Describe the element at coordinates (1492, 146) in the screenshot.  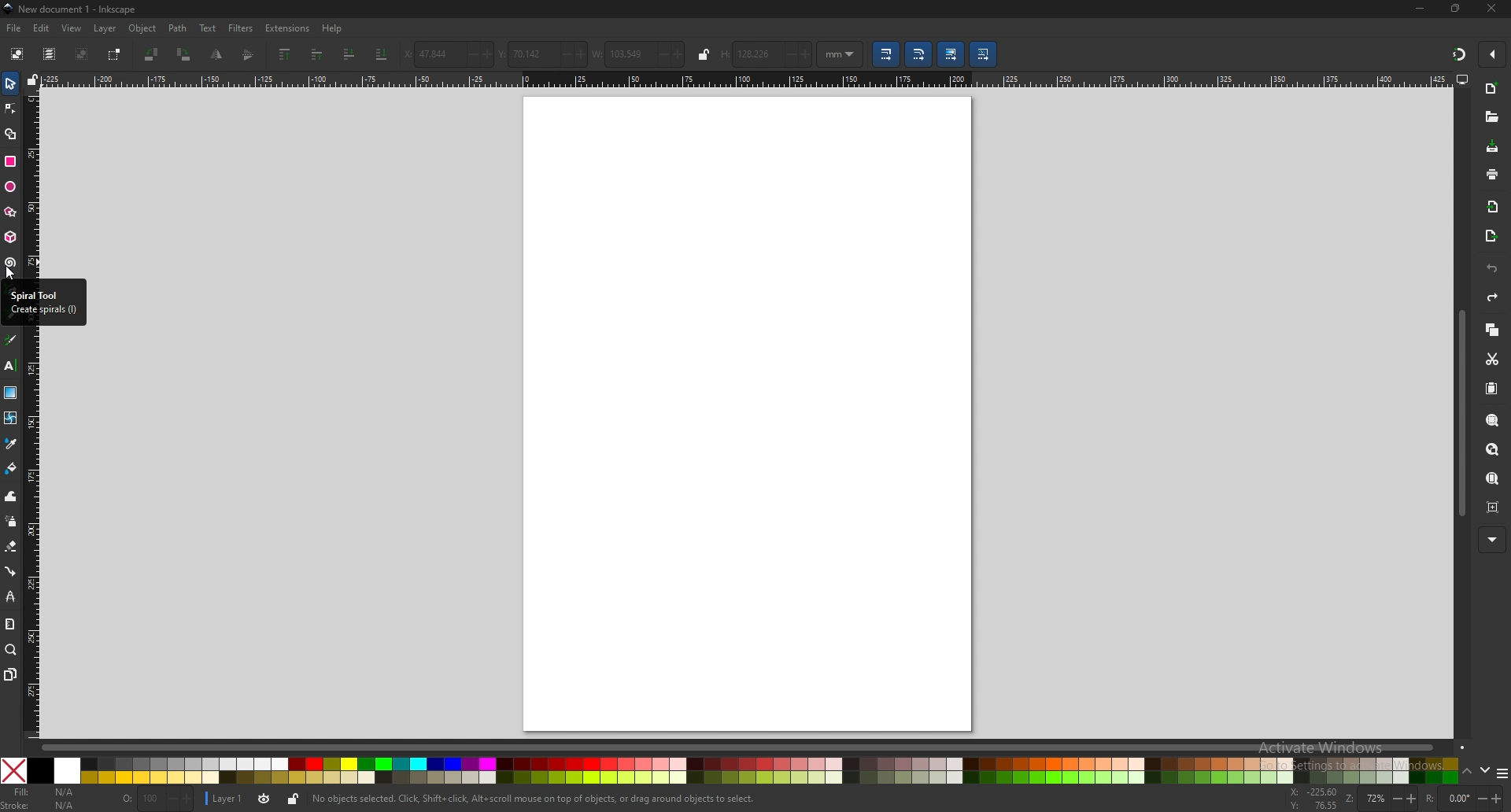
I see `save` at that location.